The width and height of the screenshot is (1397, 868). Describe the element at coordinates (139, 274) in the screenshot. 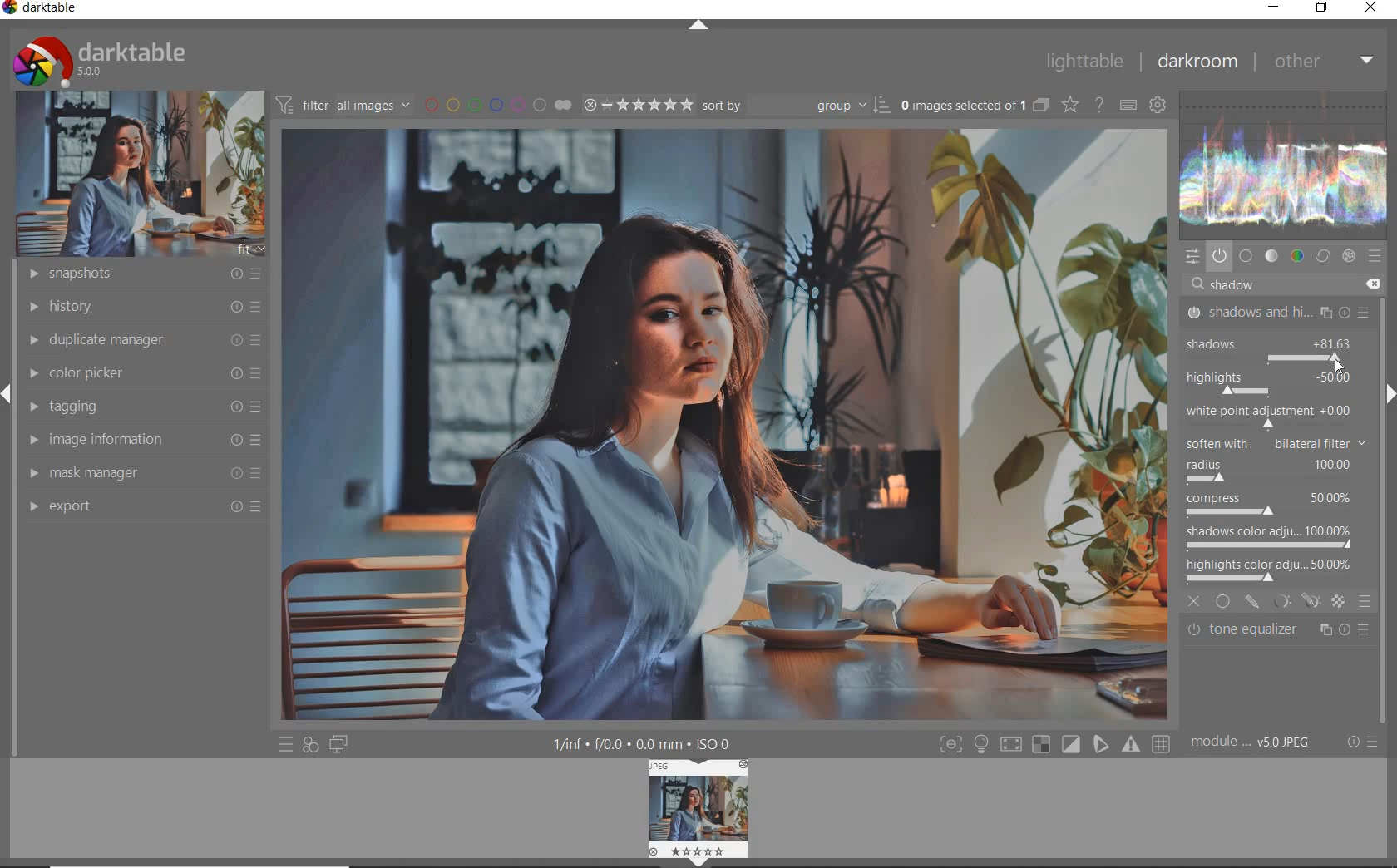

I see `snapshots` at that location.